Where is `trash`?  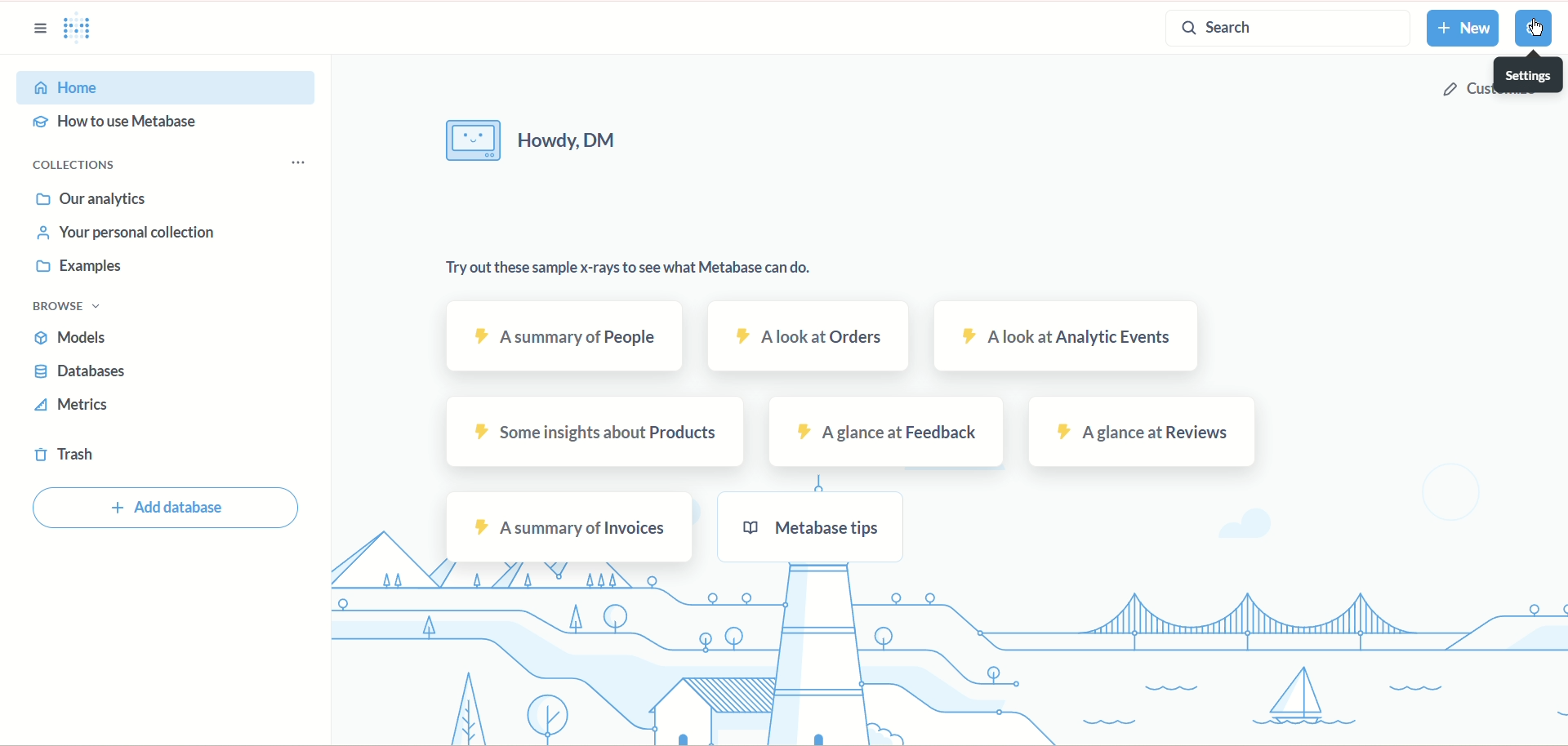
trash is located at coordinates (65, 454).